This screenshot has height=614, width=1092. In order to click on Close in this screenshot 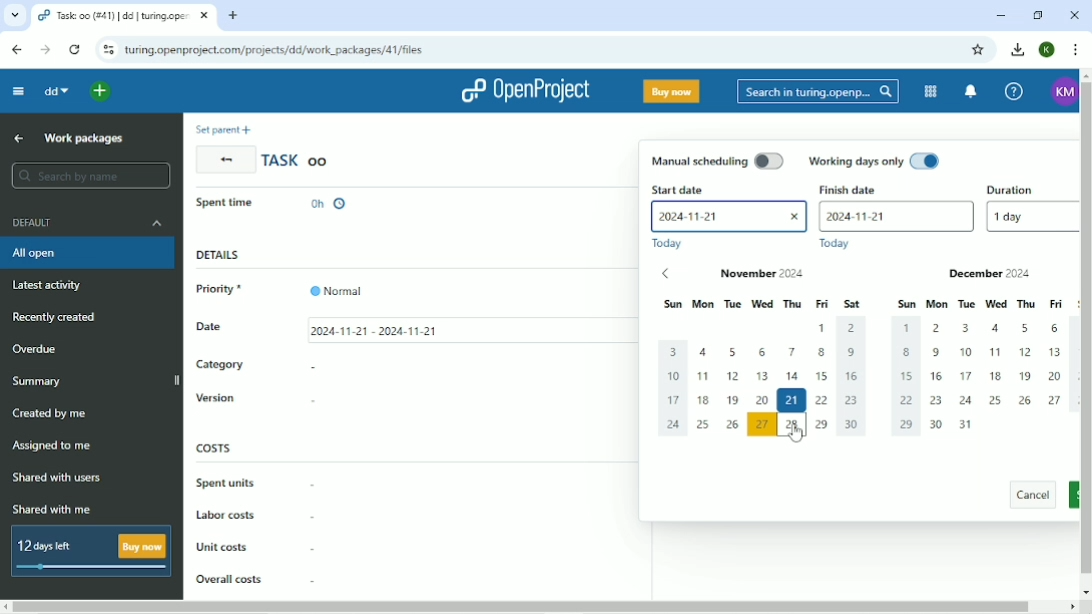, I will do `click(1073, 15)`.